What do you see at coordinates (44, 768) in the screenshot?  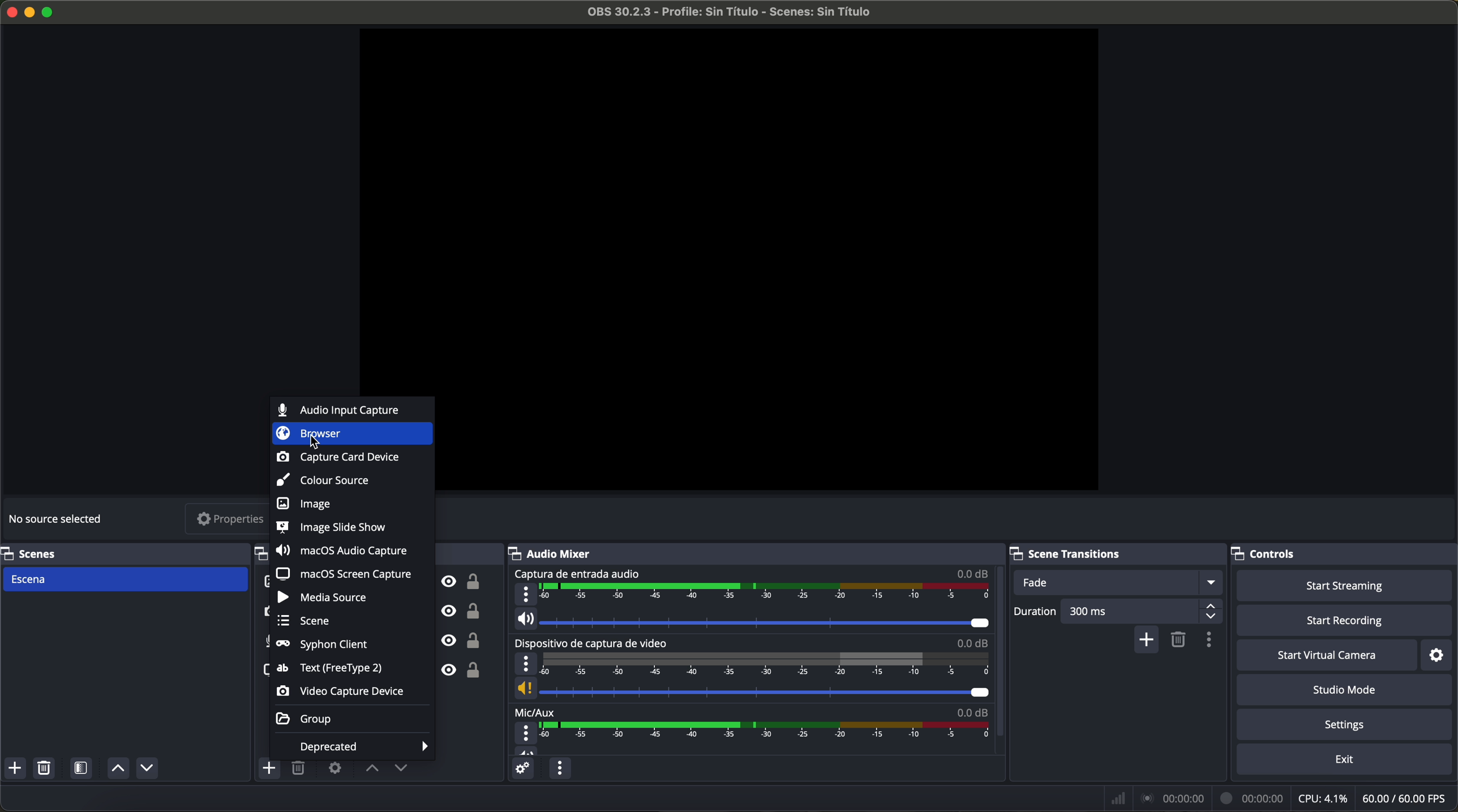 I see `remove selected scenes` at bounding box center [44, 768].